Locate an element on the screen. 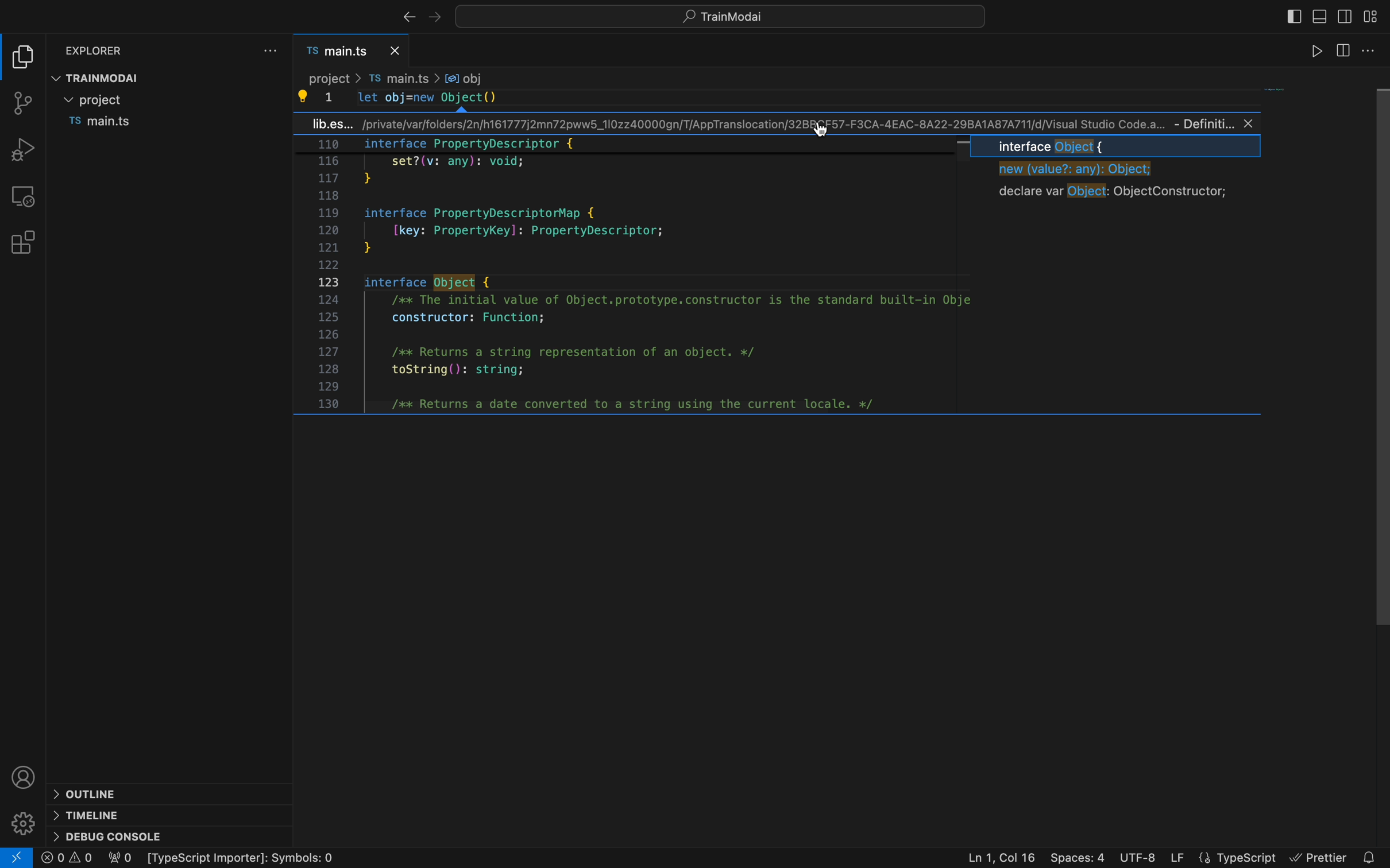 The width and height of the screenshot is (1390, 868). explorer is located at coordinates (109, 52).